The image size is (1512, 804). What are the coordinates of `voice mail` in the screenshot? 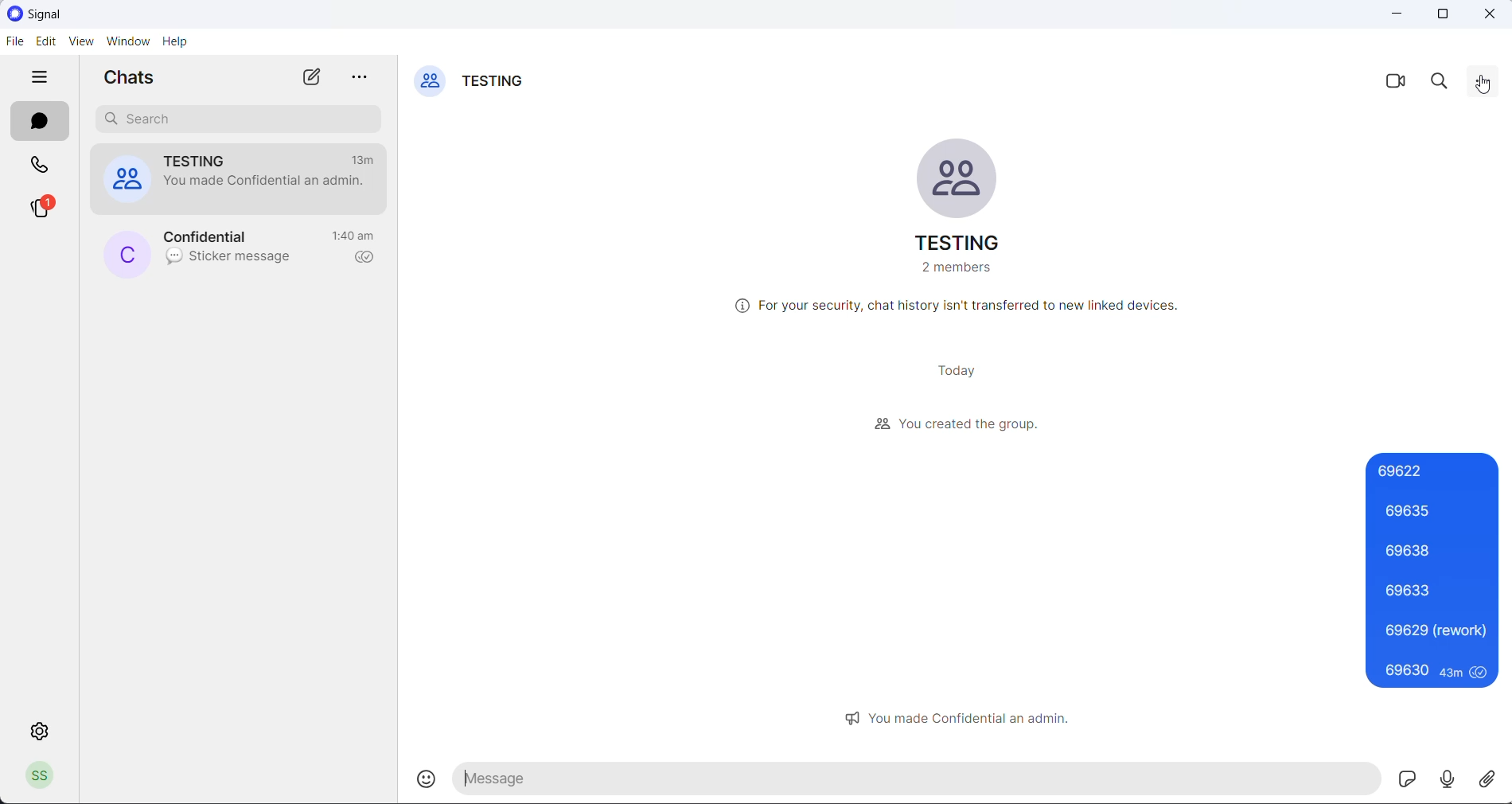 It's located at (1451, 778).